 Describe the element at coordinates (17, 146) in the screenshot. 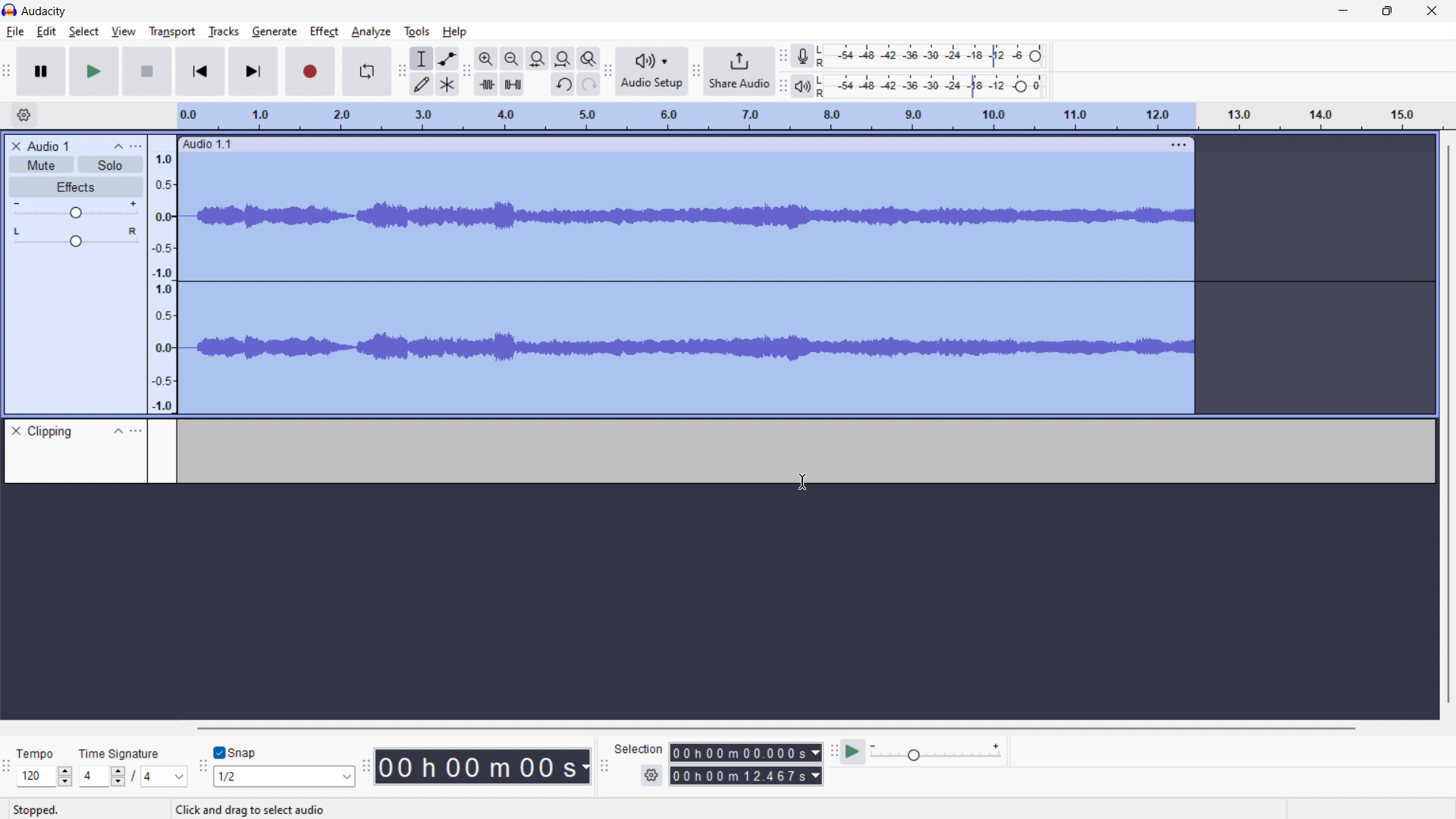

I see `delete recording` at that location.